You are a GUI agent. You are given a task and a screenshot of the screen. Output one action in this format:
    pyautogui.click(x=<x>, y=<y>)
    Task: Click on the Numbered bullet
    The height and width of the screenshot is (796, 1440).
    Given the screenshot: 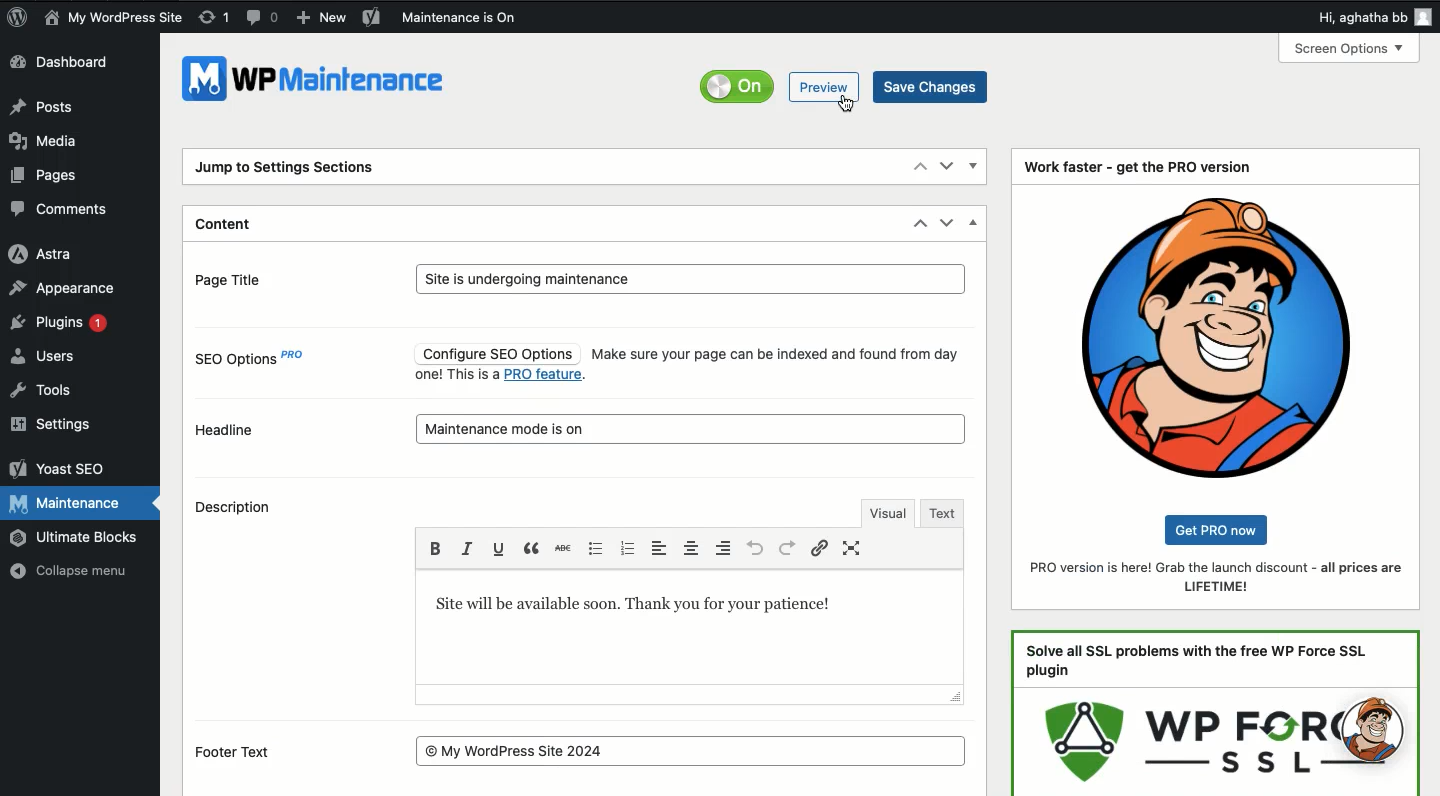 What is the action you would take?
    pyautogui.click(x=626, y=550)
    